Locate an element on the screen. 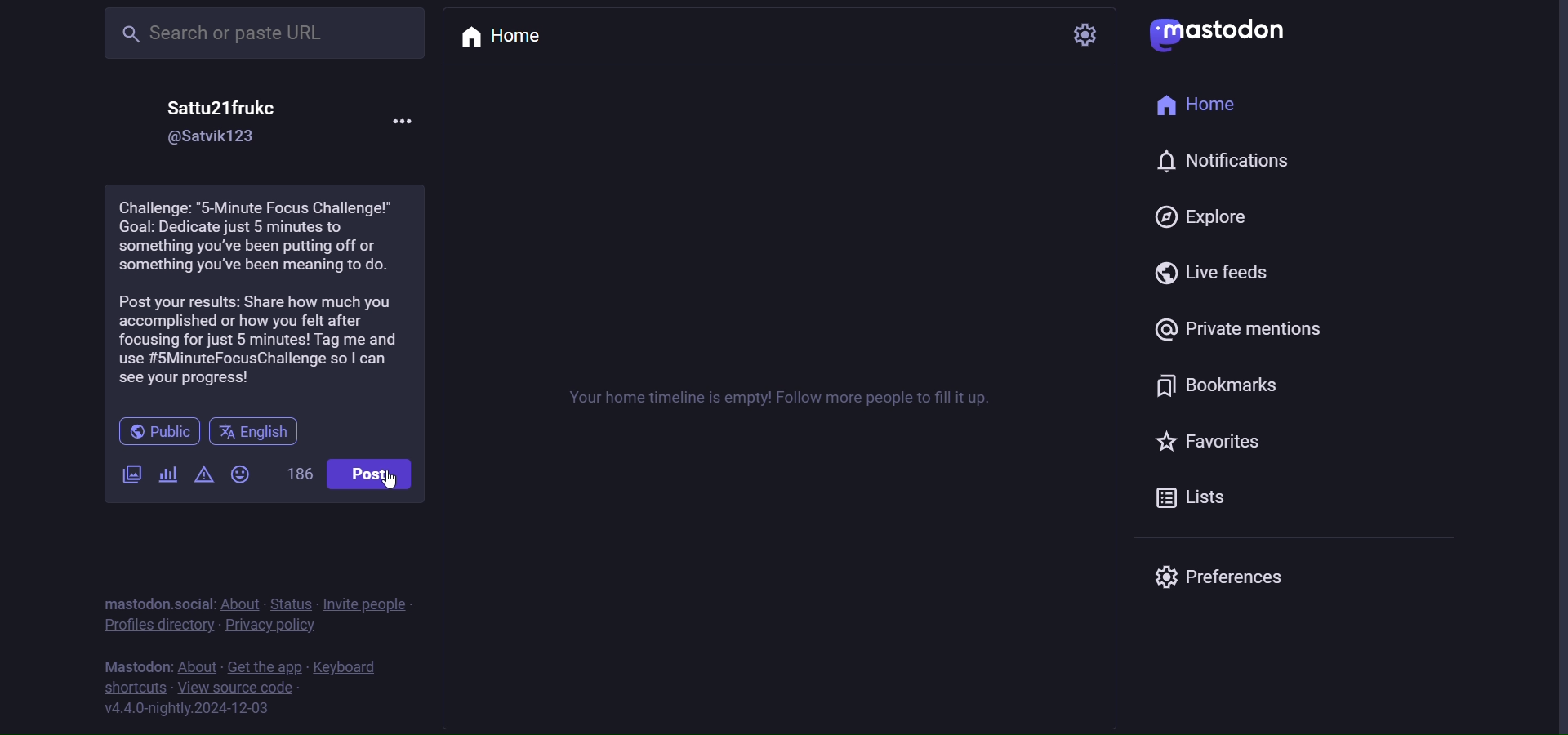 The image size is (1568, 735). favorites is located at coordinates (1214, 443).